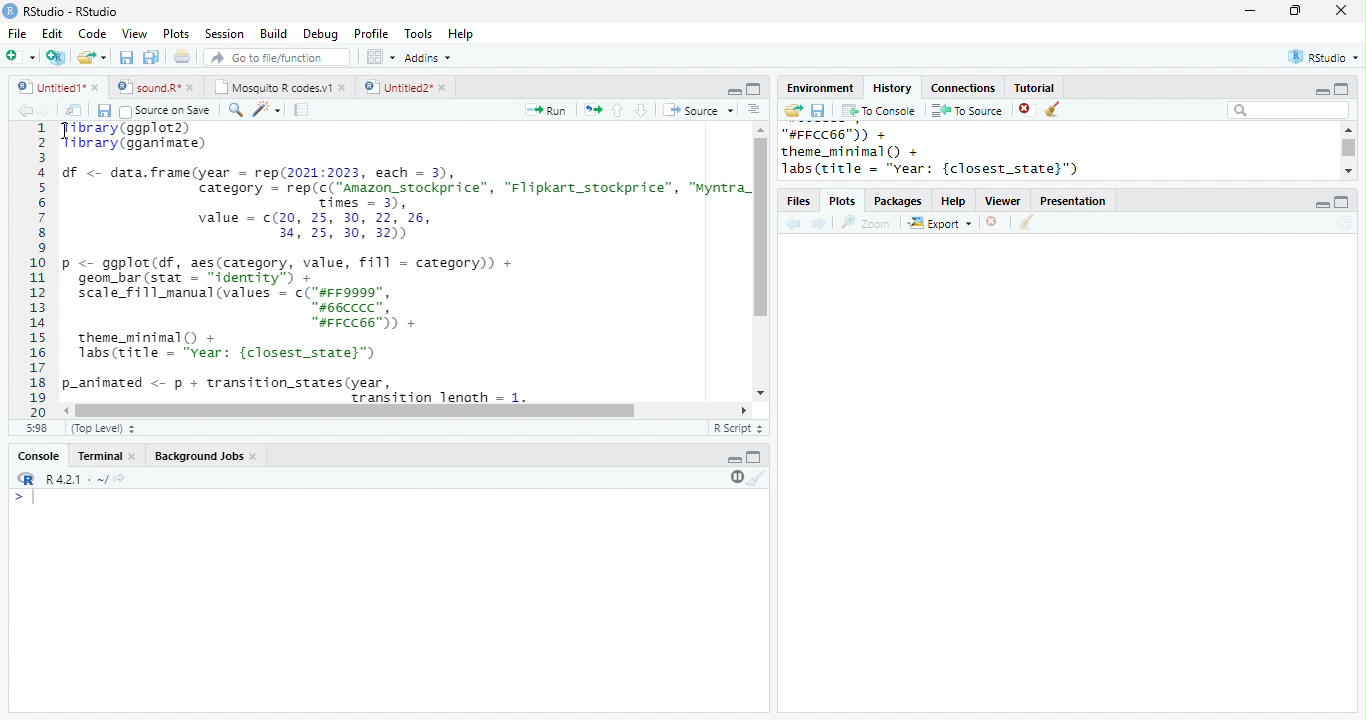 The image size is (1366, 720). I want to click on Packages, so click(899, 201).